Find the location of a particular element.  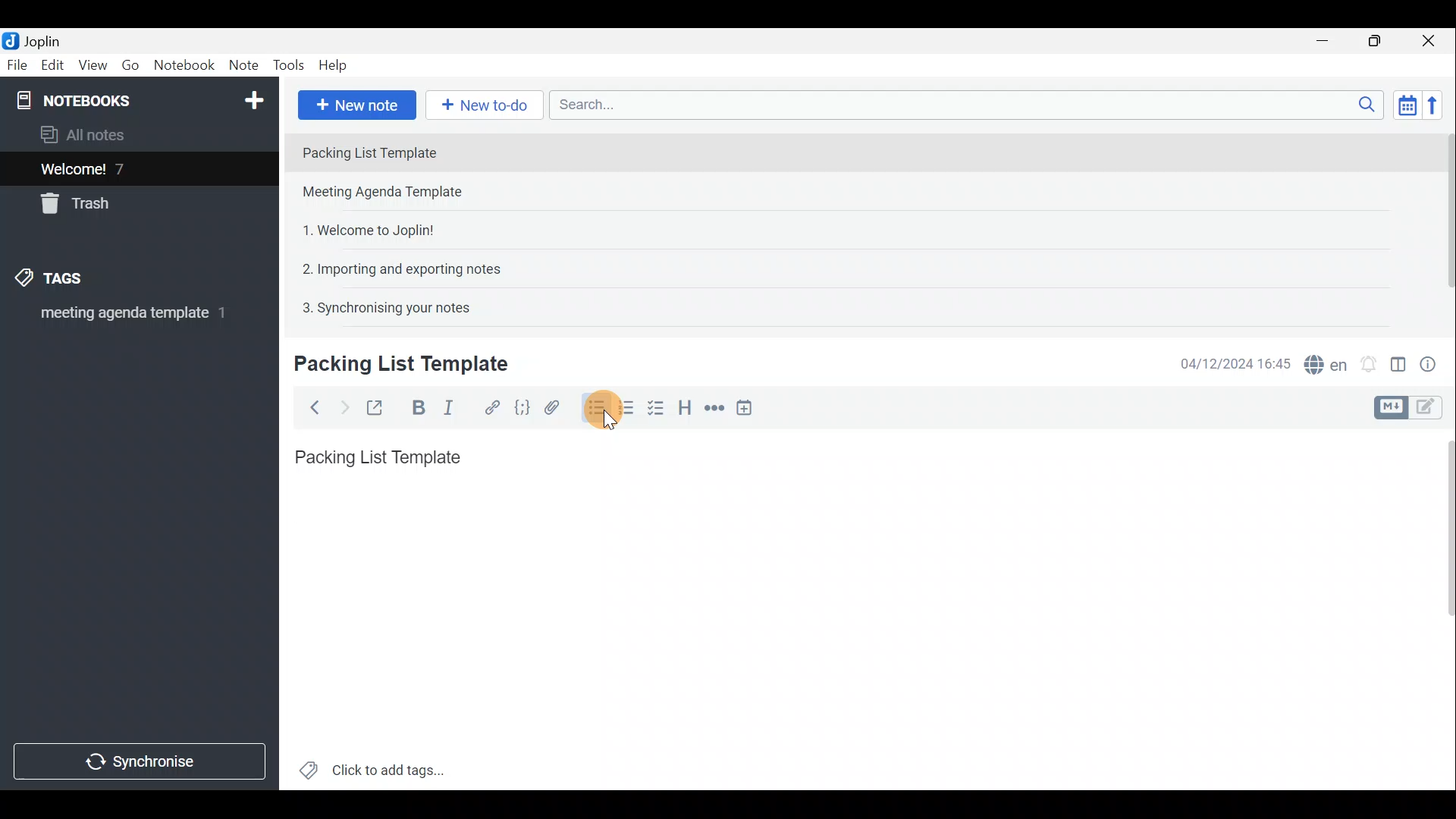

Back is located at coordinates (312, 407).